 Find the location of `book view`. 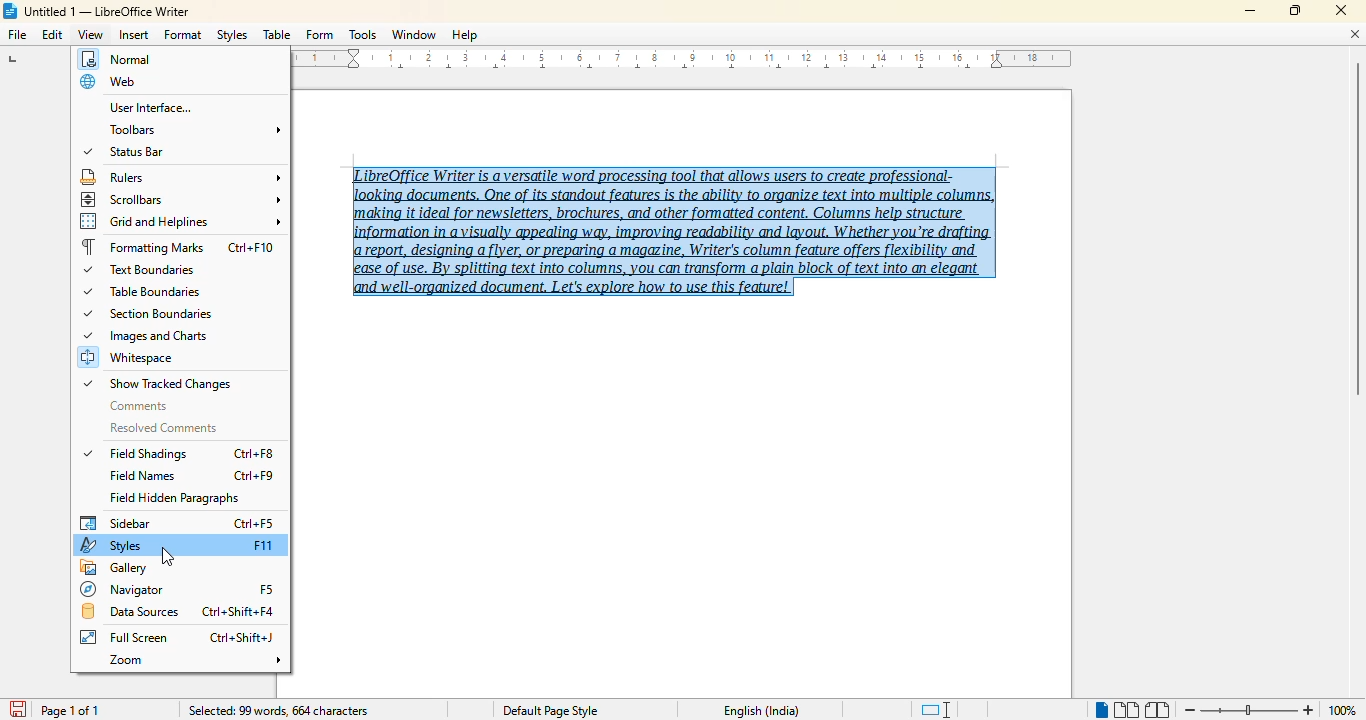

book view is located at coordinates (1157, 710).